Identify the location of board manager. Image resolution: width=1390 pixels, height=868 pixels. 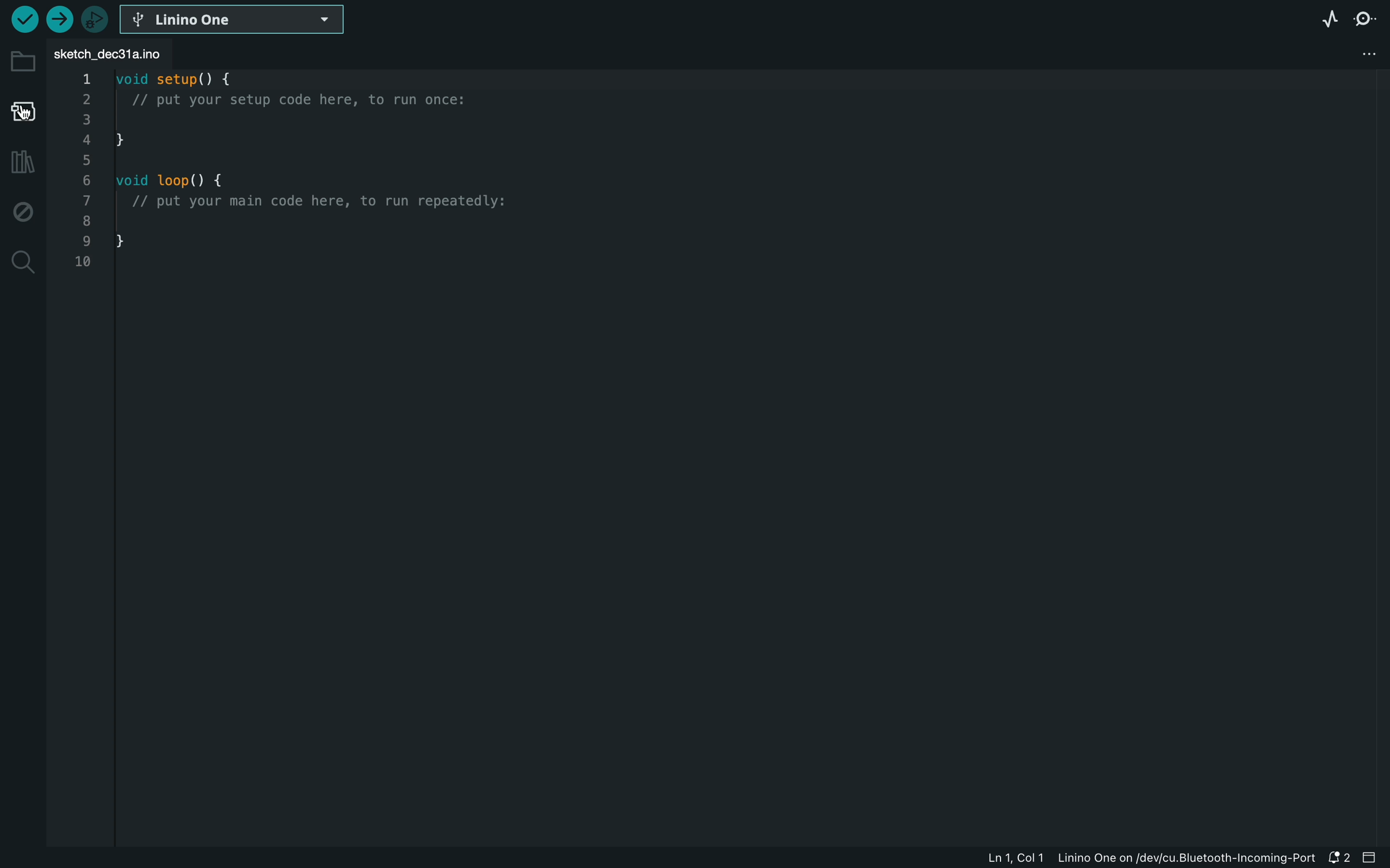
(21, 112).